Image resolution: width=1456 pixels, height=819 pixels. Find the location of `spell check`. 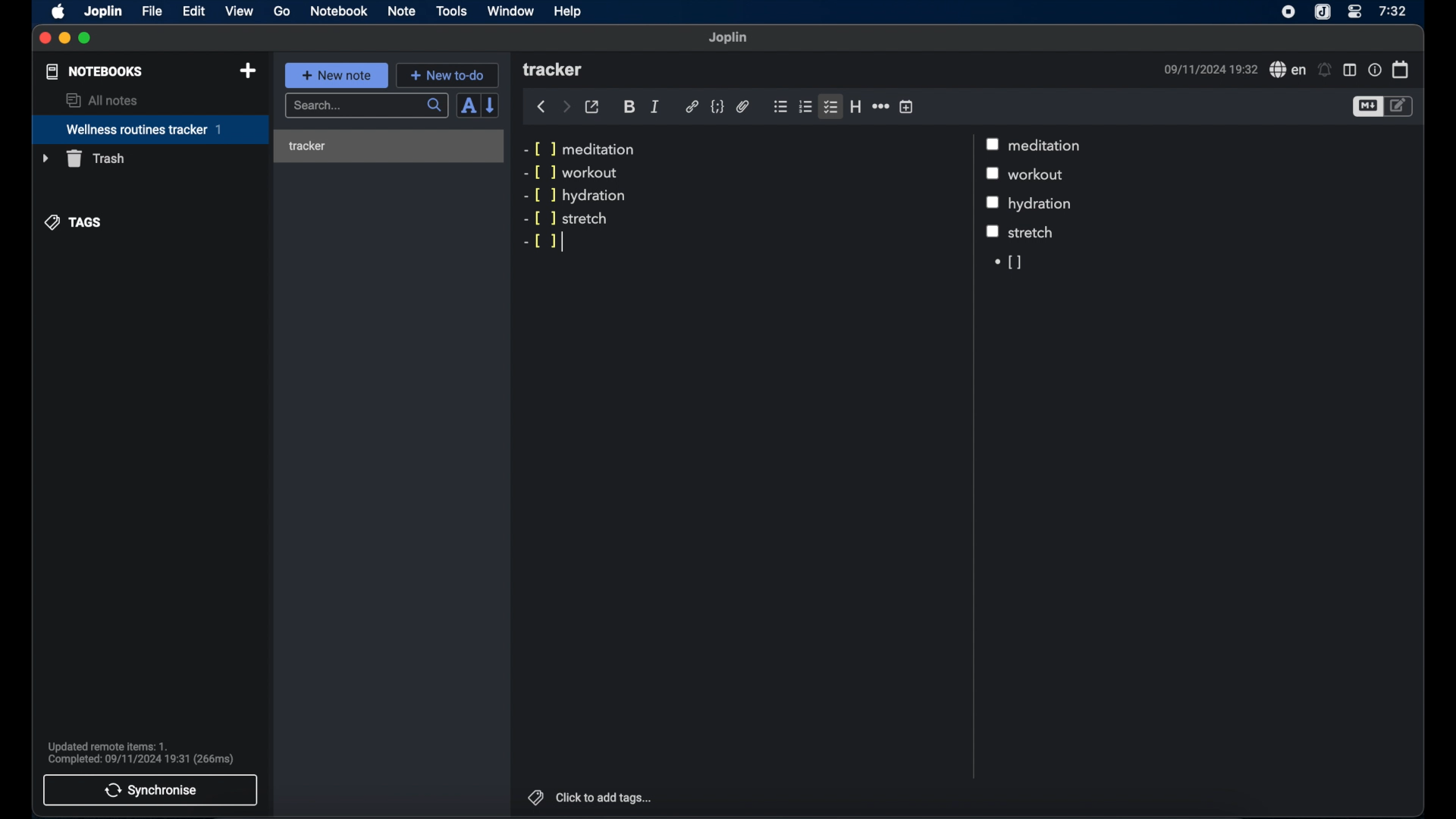

spell check is located at coordinates (1285, 69).